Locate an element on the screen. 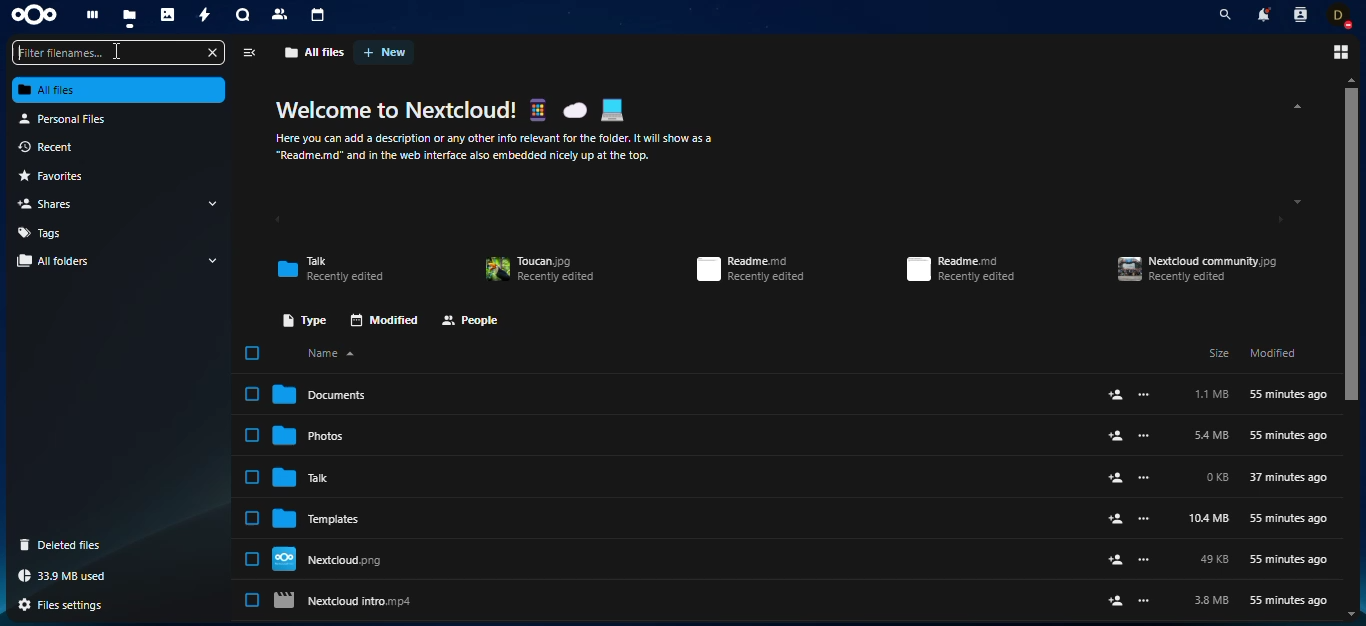  more is located at coordinates (1145, 601).